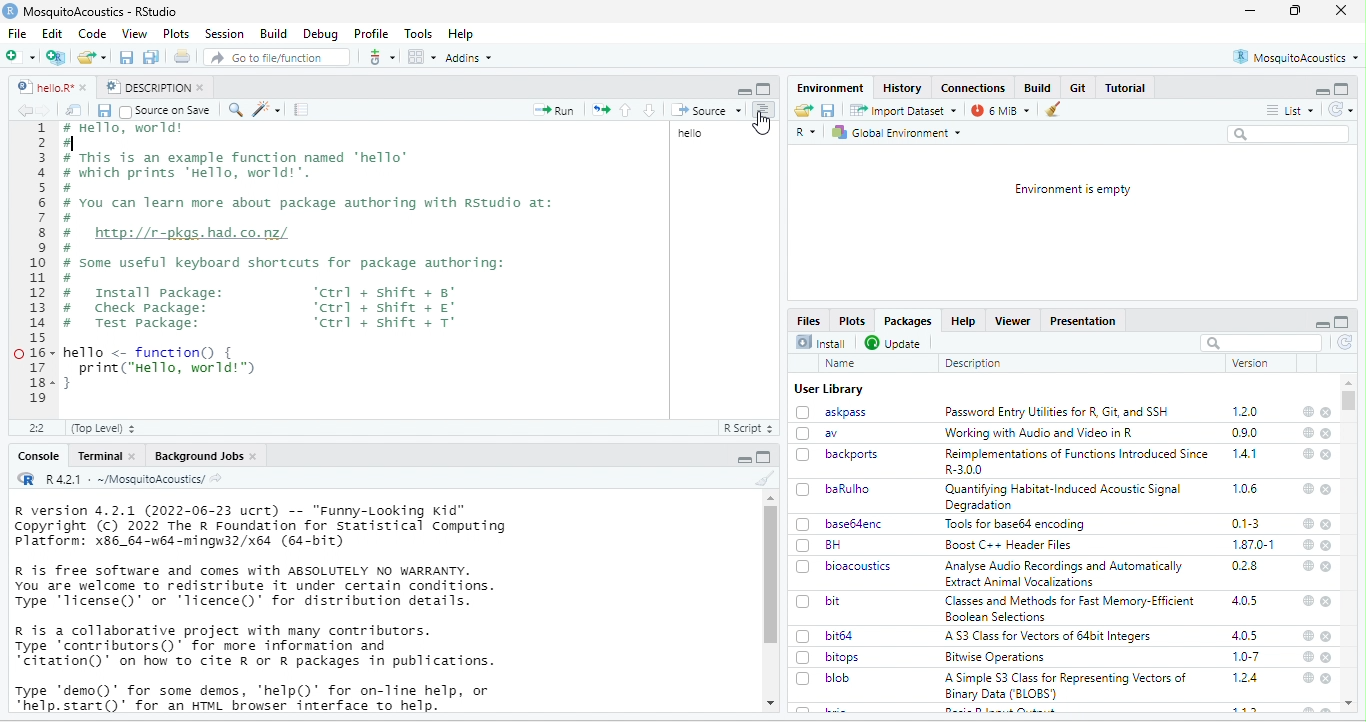 This screenshot has width=1366, height=722. I want to click on 0.9.0, so click(1247, 432).